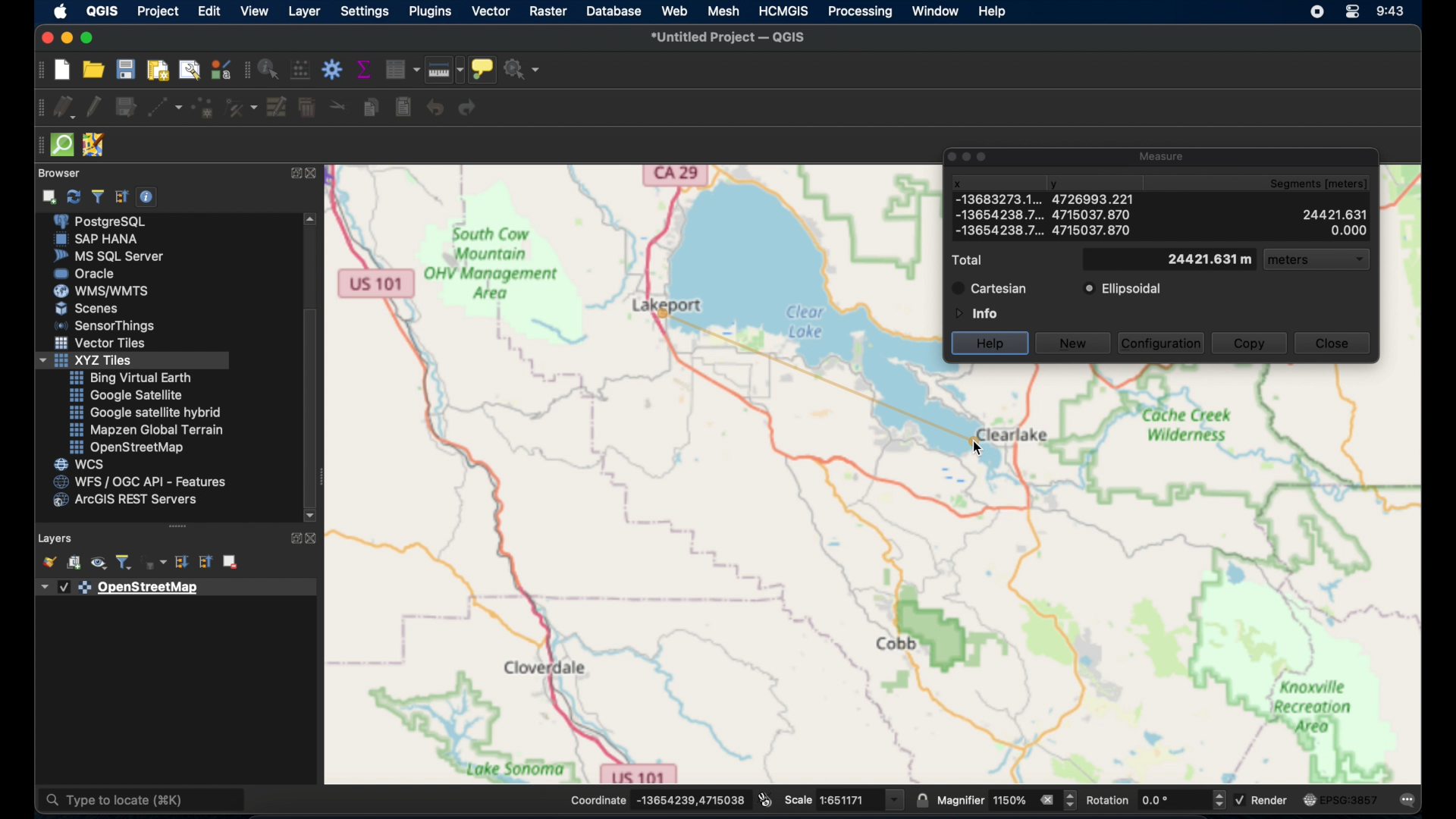 This screenshot has width=1456, height=819. Describe the element at coordinates (108, 256) in the screenshot. I see `ms sql server` at that location.